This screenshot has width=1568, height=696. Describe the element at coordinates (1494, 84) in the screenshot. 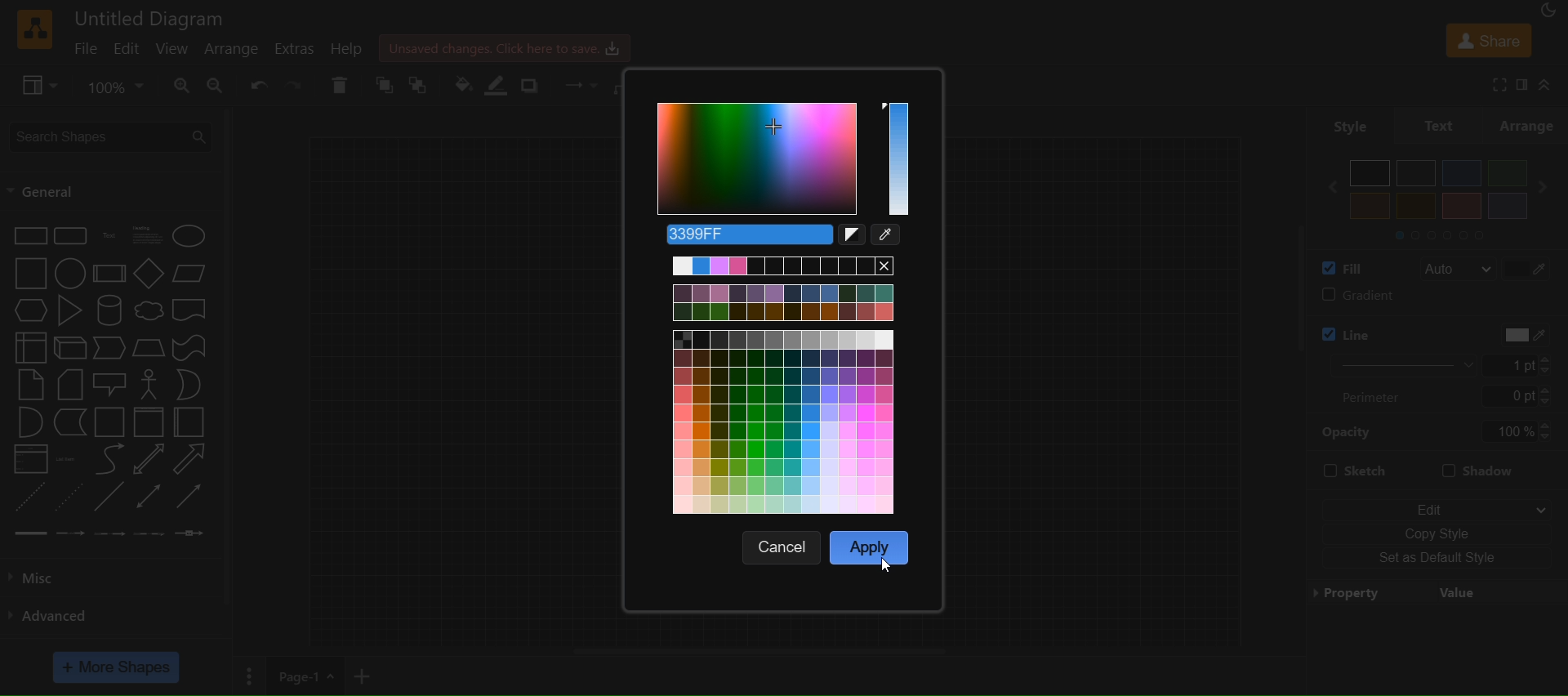

I see `fullscreen` at that location.